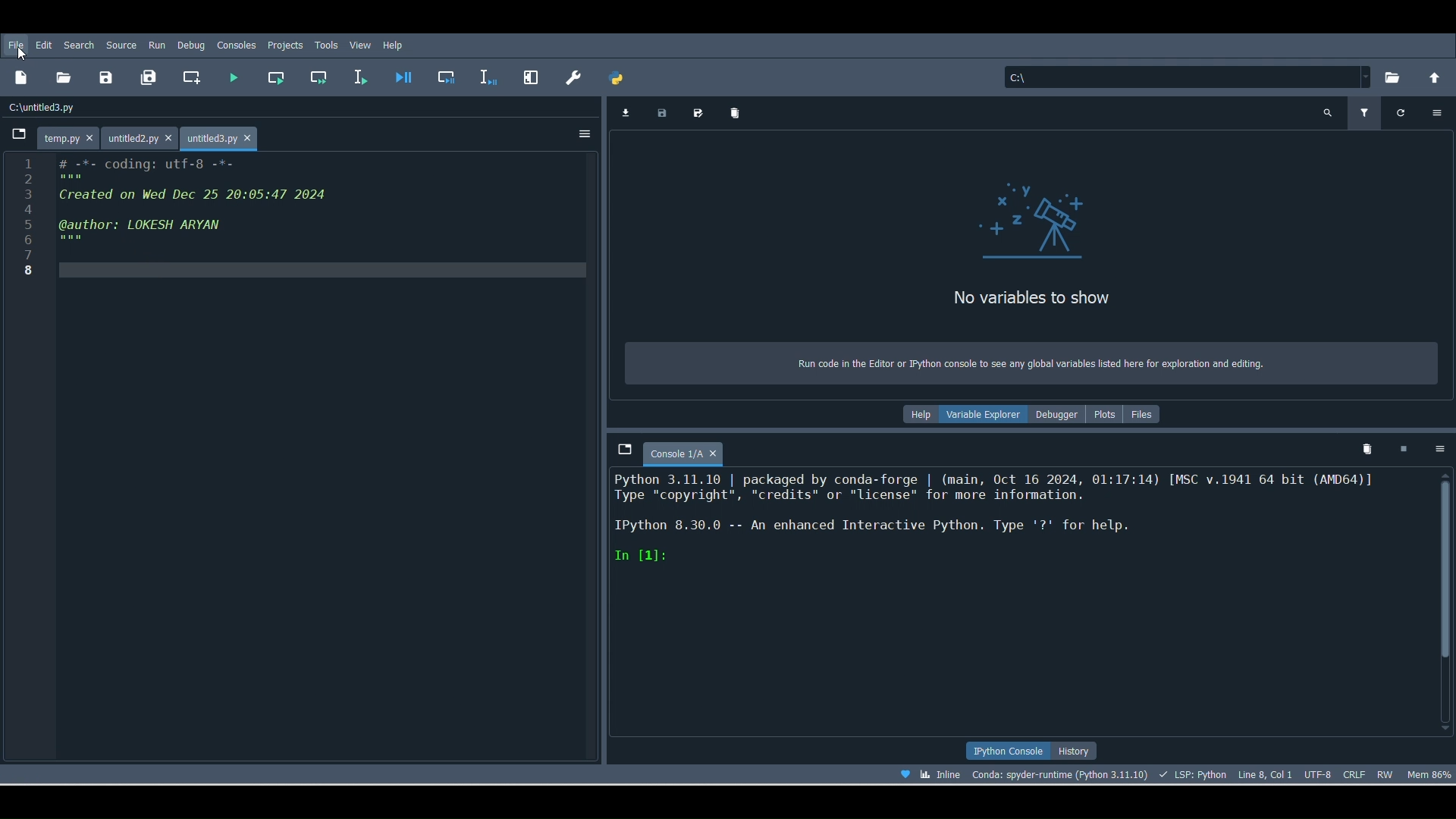 Image resolution: width=1456 pixels, height=819 pixels. I want to click on Create new cell at the current line (Ctrl + 2), so click(192, 77).